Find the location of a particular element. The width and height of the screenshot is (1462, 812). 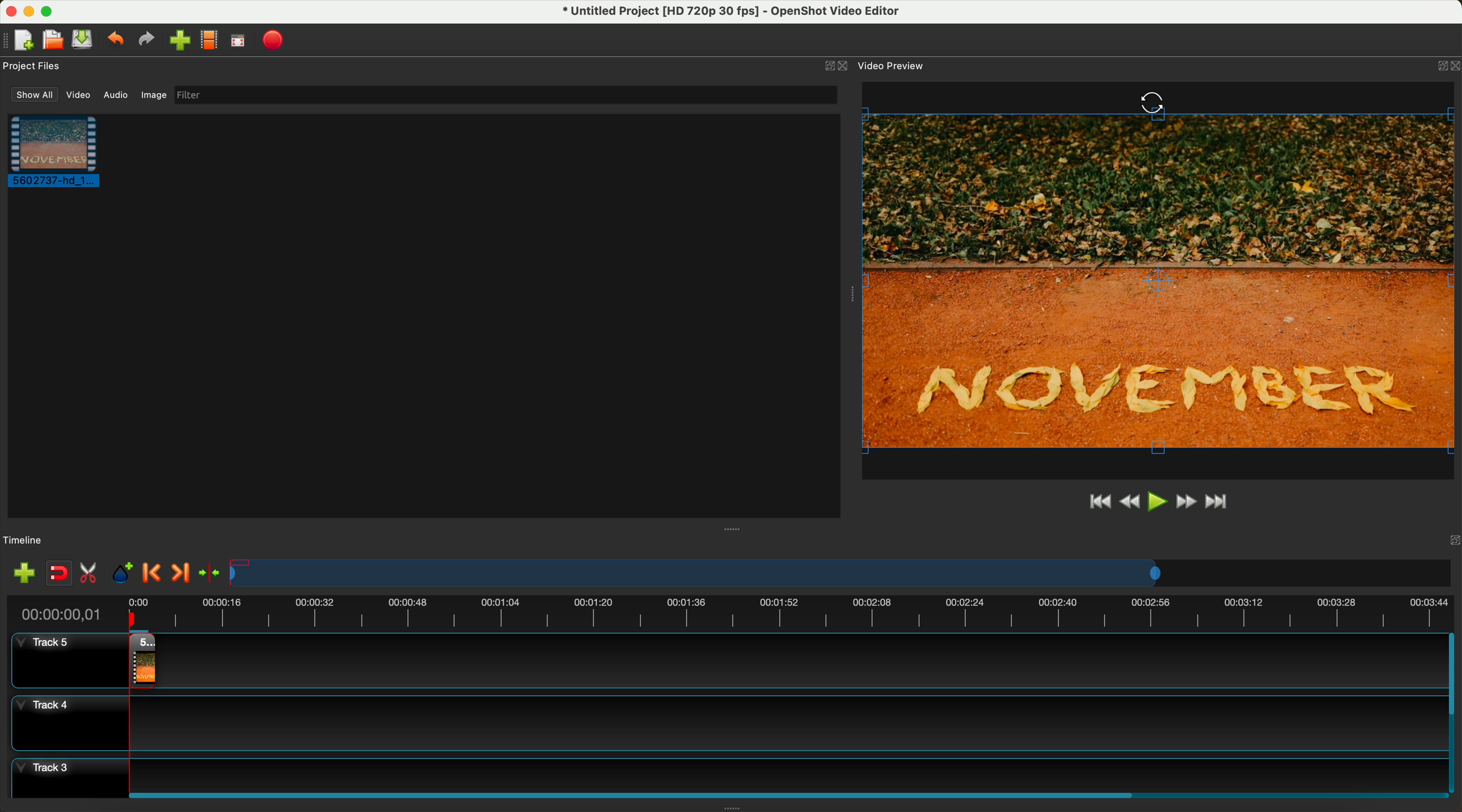

 is located at coordinates (1450, 540).